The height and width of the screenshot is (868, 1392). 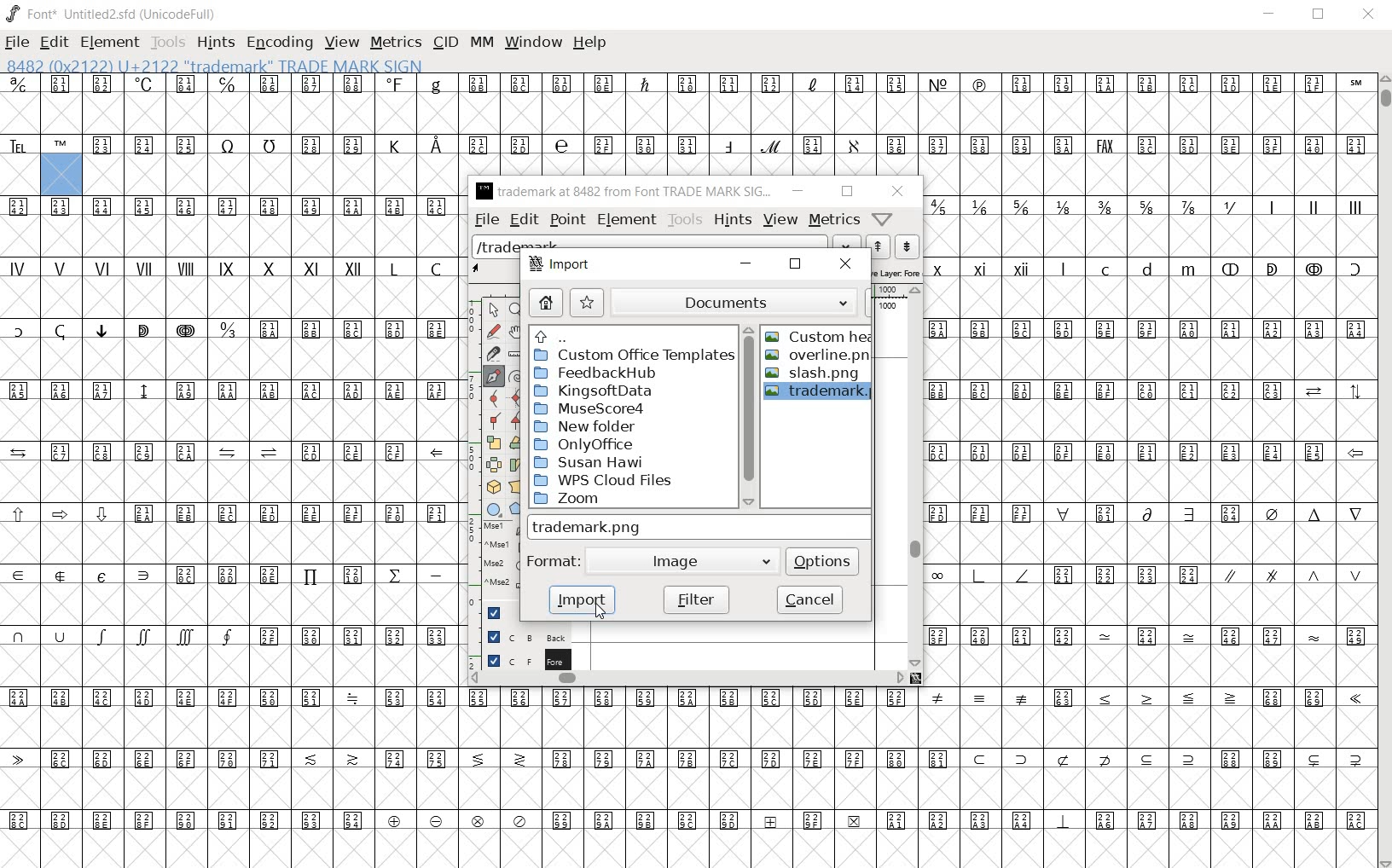 I want to click on minimize, so click(x=745, y=263).